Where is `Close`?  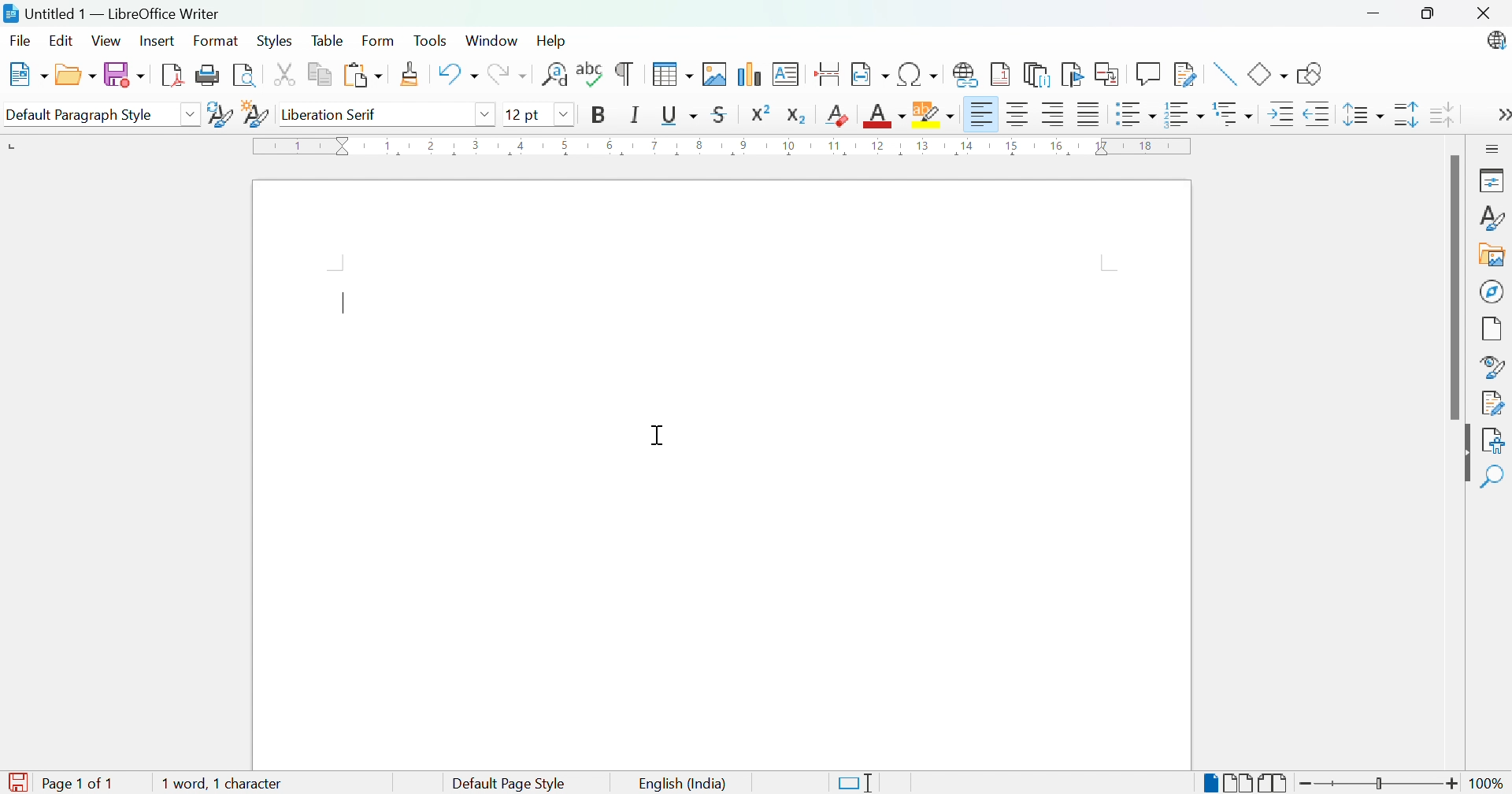
Close is located at coordinates (1488, 17).